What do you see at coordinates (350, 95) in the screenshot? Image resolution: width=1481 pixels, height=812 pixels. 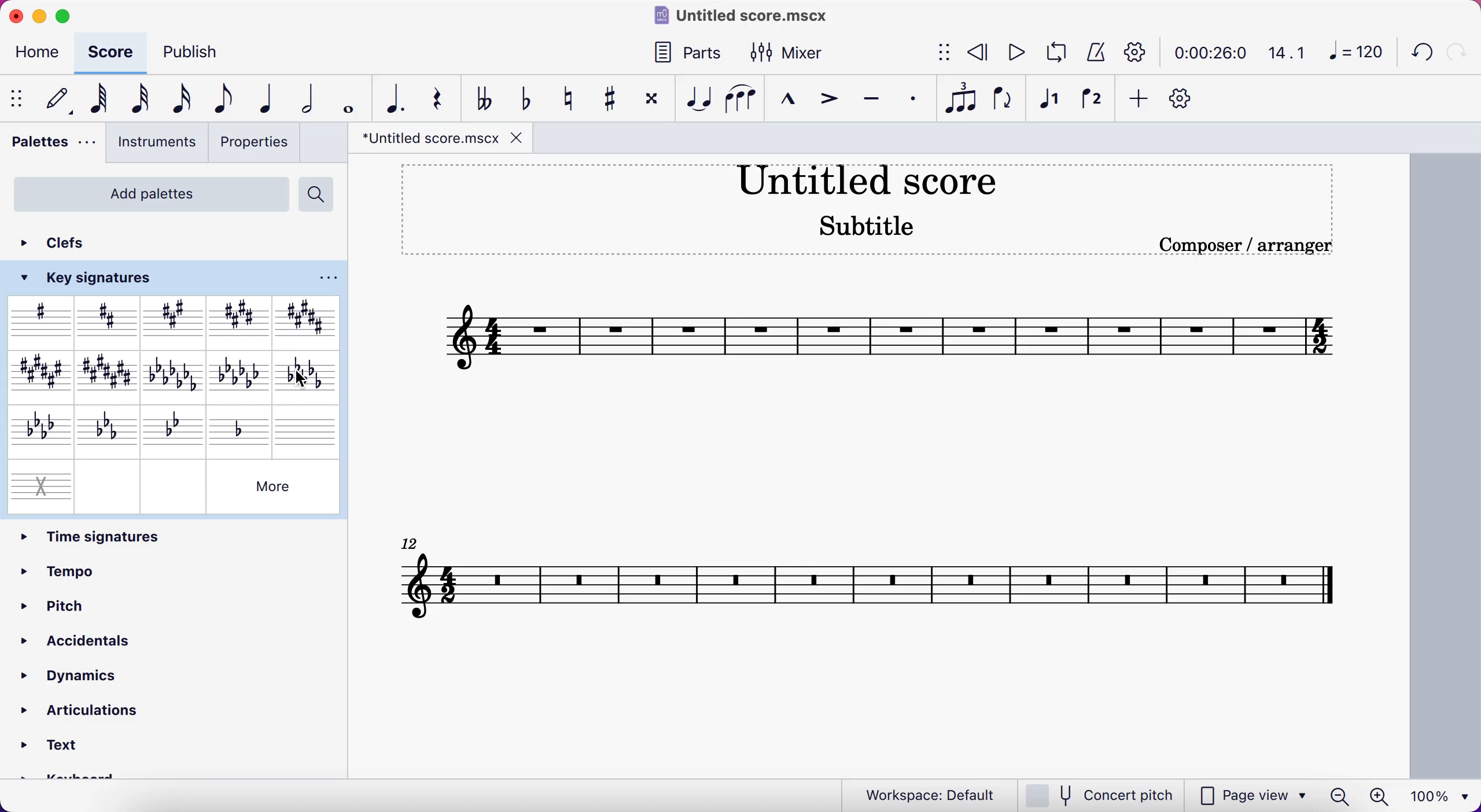 I see `whole note` at bounding box center [350, 95].